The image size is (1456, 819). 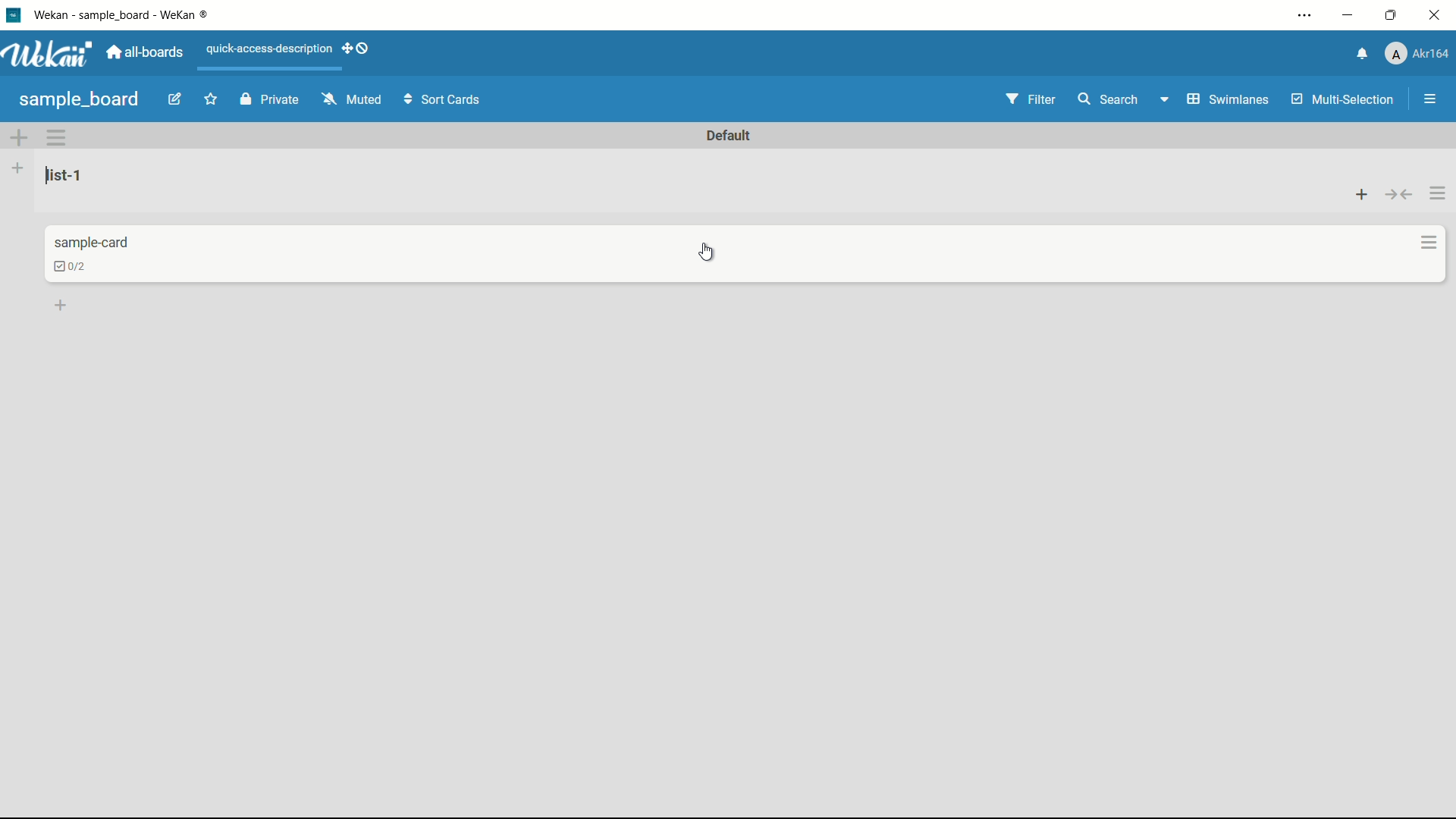 What do you see at coordinates (444, 100) in the screenshot?
I see `sort cards` at bounding box center [444, 100].